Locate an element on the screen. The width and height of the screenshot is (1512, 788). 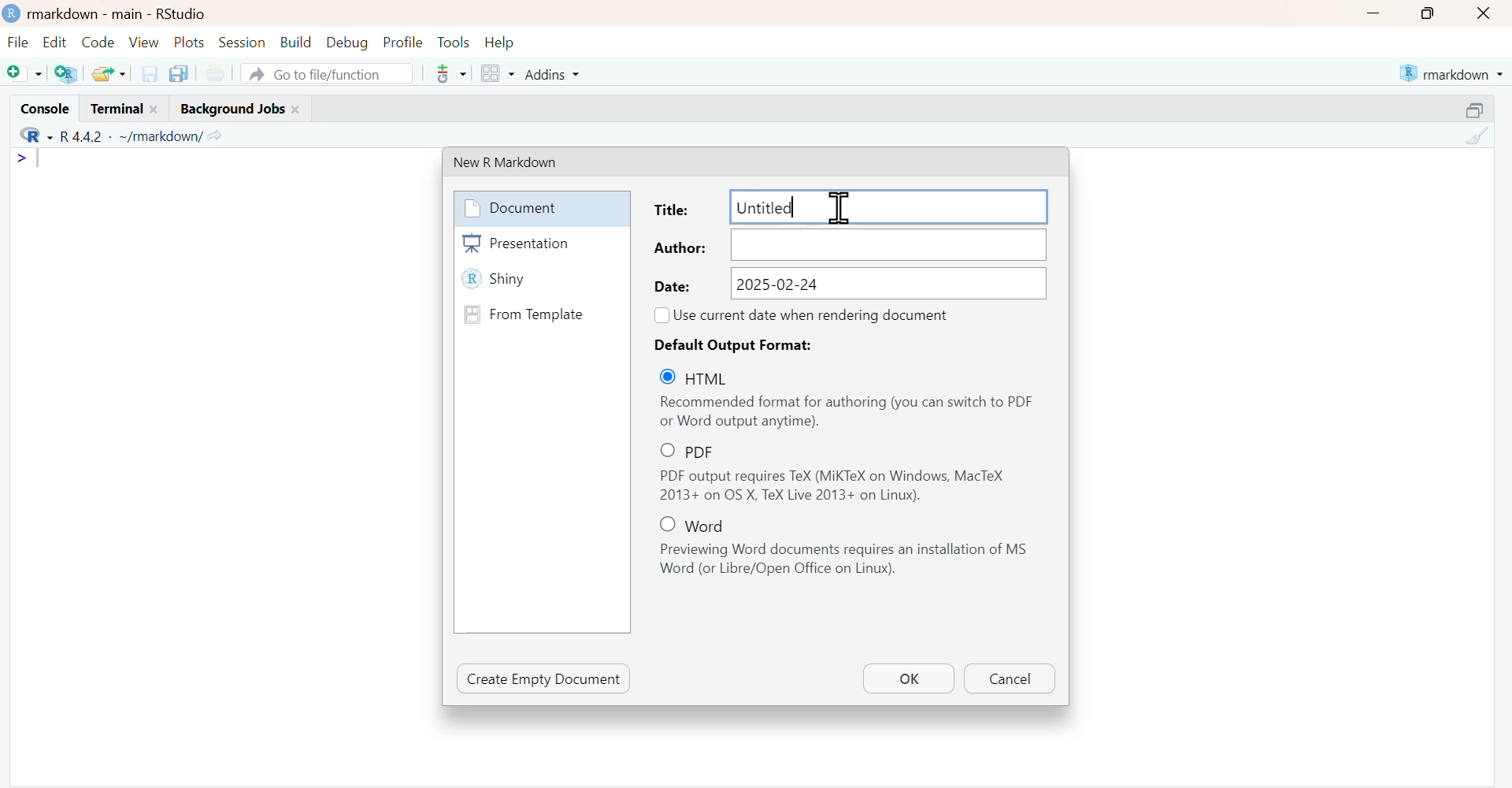
Code is located at coordinates (98, 43).